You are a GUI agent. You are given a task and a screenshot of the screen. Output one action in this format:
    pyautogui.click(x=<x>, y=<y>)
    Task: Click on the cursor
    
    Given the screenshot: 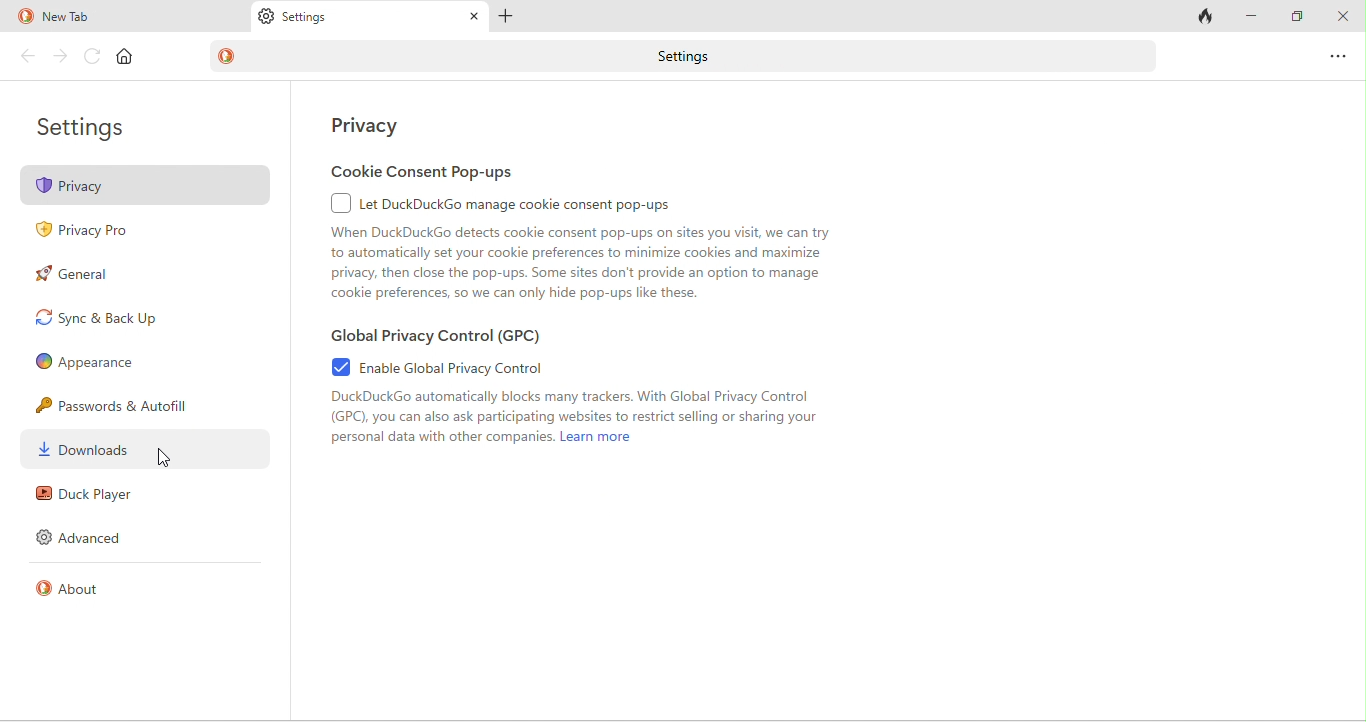 What is the action you would take?
    pyautogui.click(x=165, y=454)
    